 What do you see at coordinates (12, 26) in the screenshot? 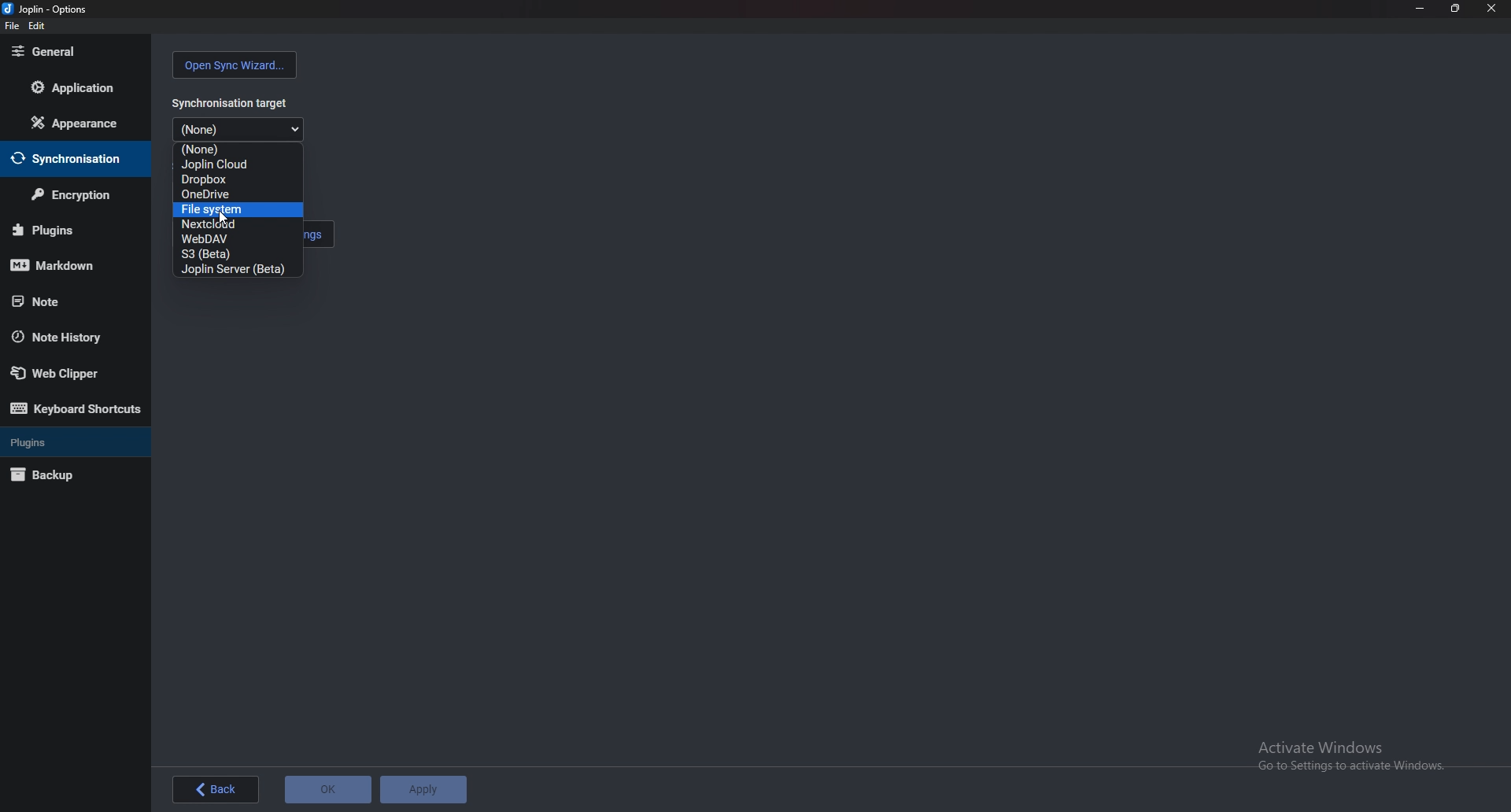
I see `file` at bounding box center [12, 26].